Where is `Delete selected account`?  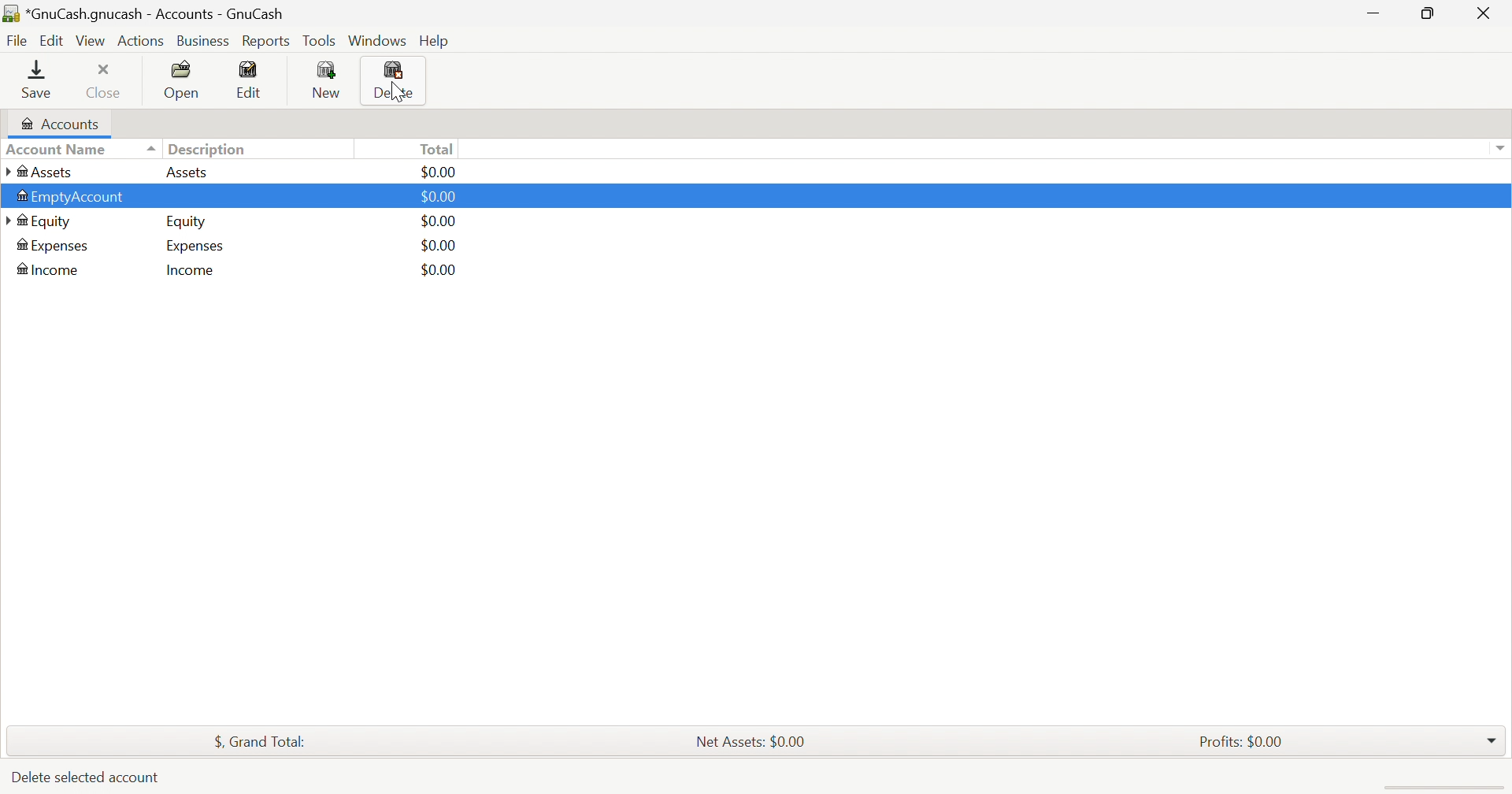 Delete selected account is located at coordinates (87, 777).